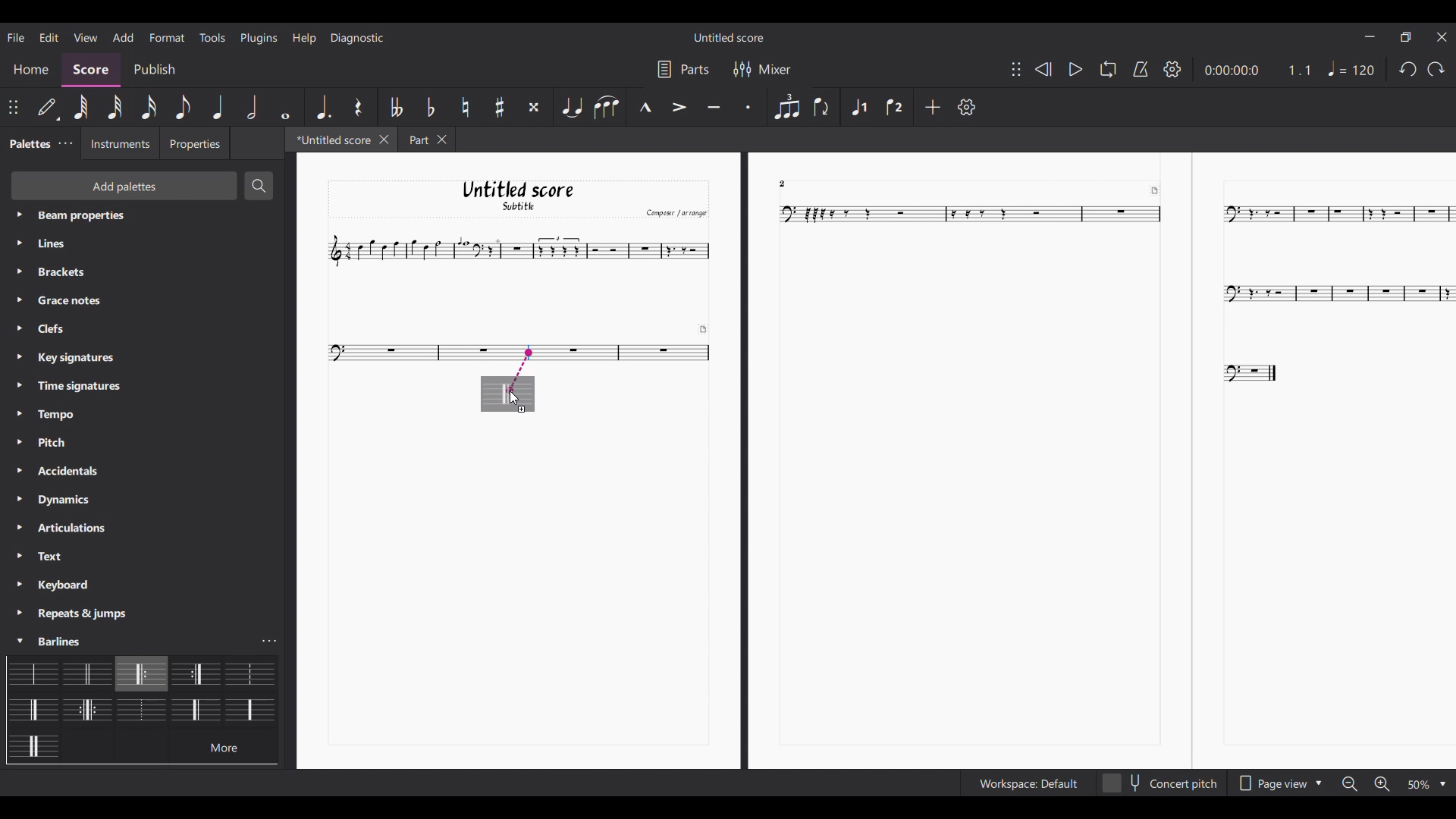 This screenshot has height=819, width=1456. Describe the element at coordinates (149, 107) in the screenshot. I see `16th note` at that location.